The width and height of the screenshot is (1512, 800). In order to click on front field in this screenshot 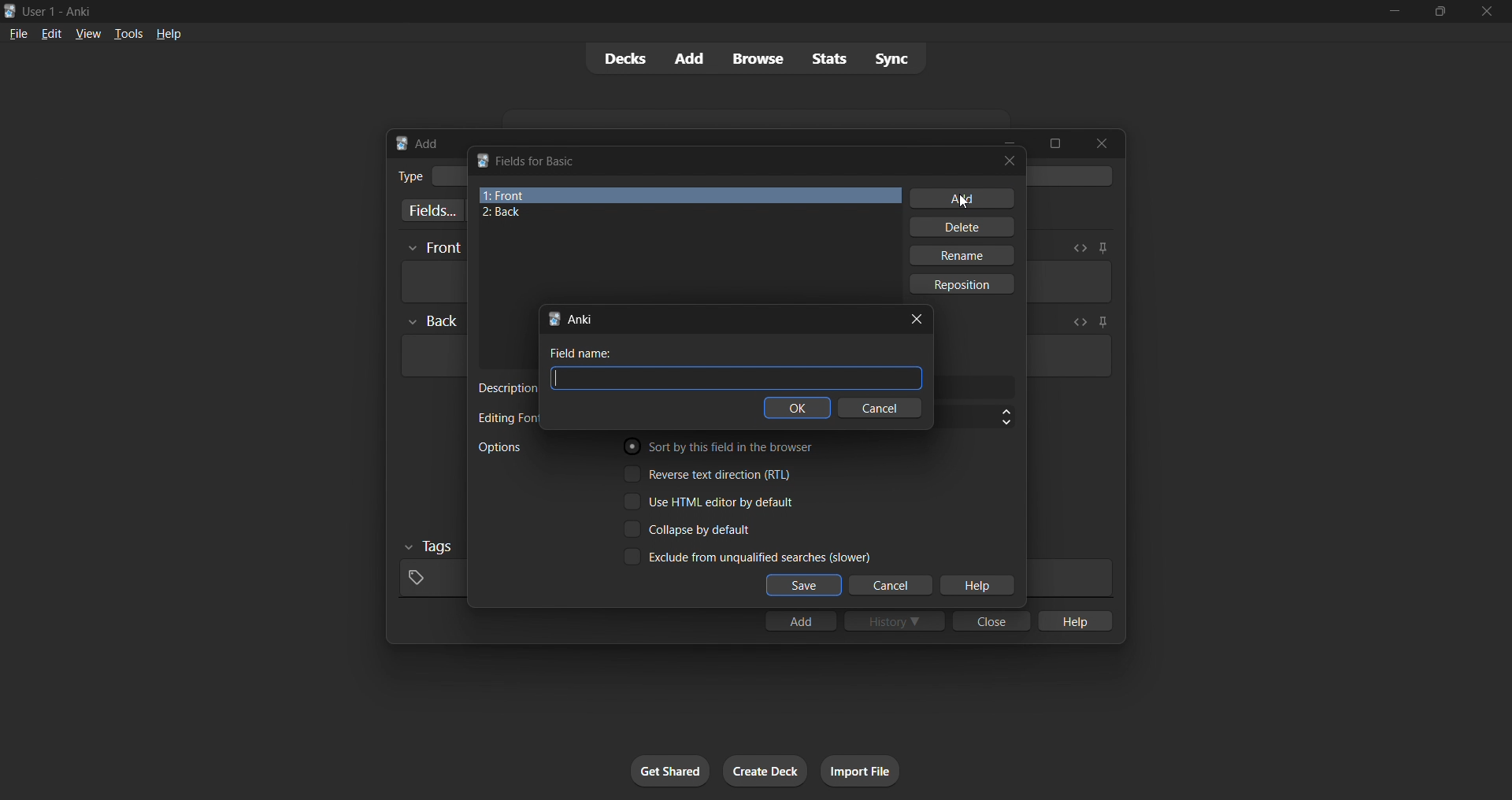, I will do `click(690, 195)`.